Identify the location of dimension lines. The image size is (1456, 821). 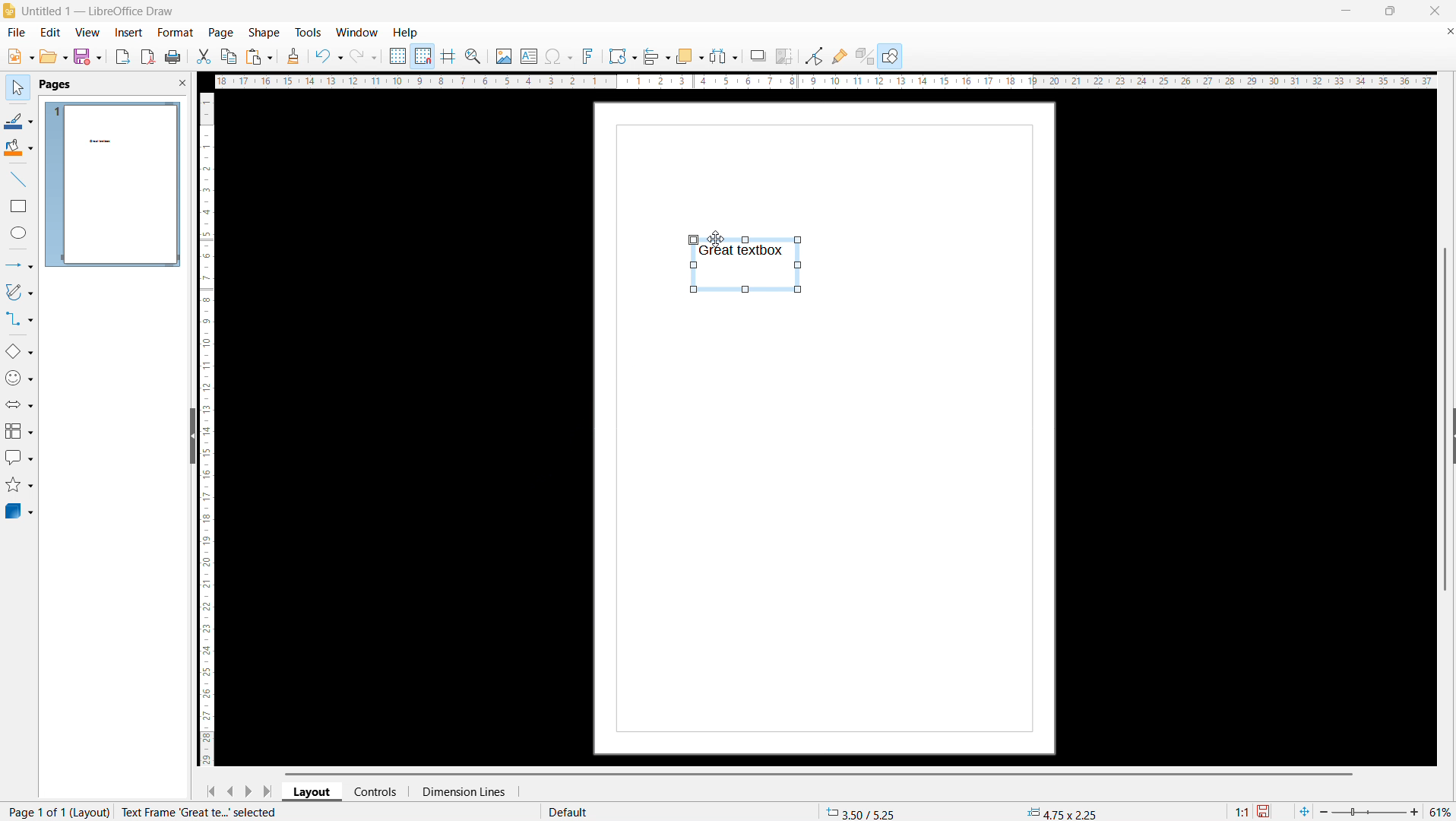
(462, 791).